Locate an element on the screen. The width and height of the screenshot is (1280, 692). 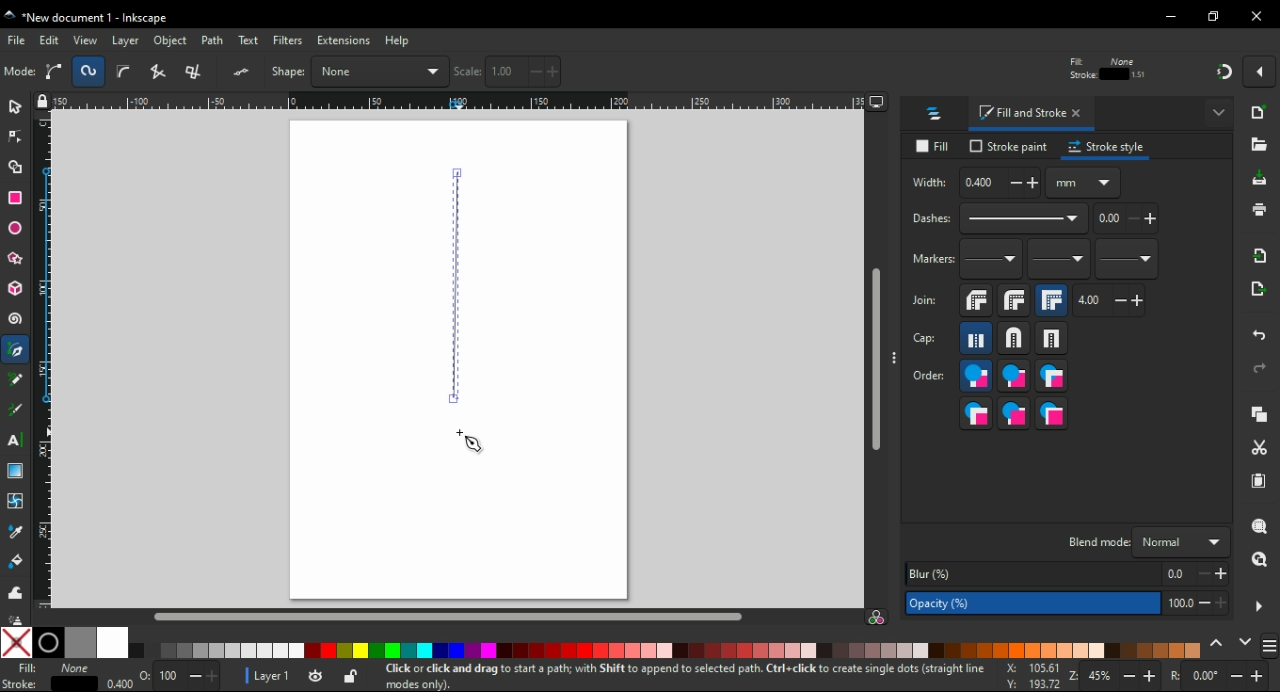
layers and objects is located at coordinates (935, 113).